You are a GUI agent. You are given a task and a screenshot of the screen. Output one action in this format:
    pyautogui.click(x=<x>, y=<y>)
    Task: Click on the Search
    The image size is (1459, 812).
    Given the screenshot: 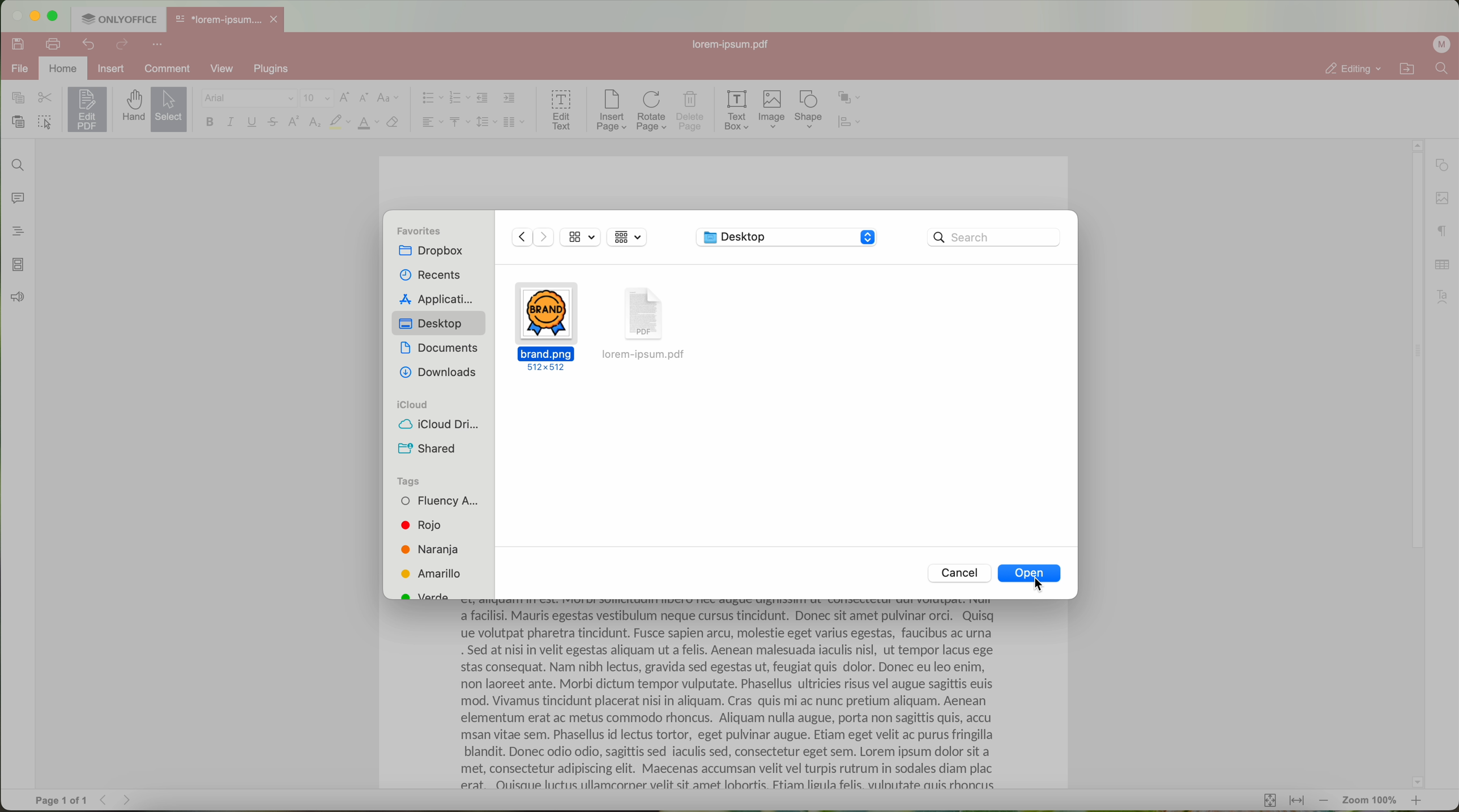 What is the action you would take?
    pyautogui.click(x=987, y=236)
    